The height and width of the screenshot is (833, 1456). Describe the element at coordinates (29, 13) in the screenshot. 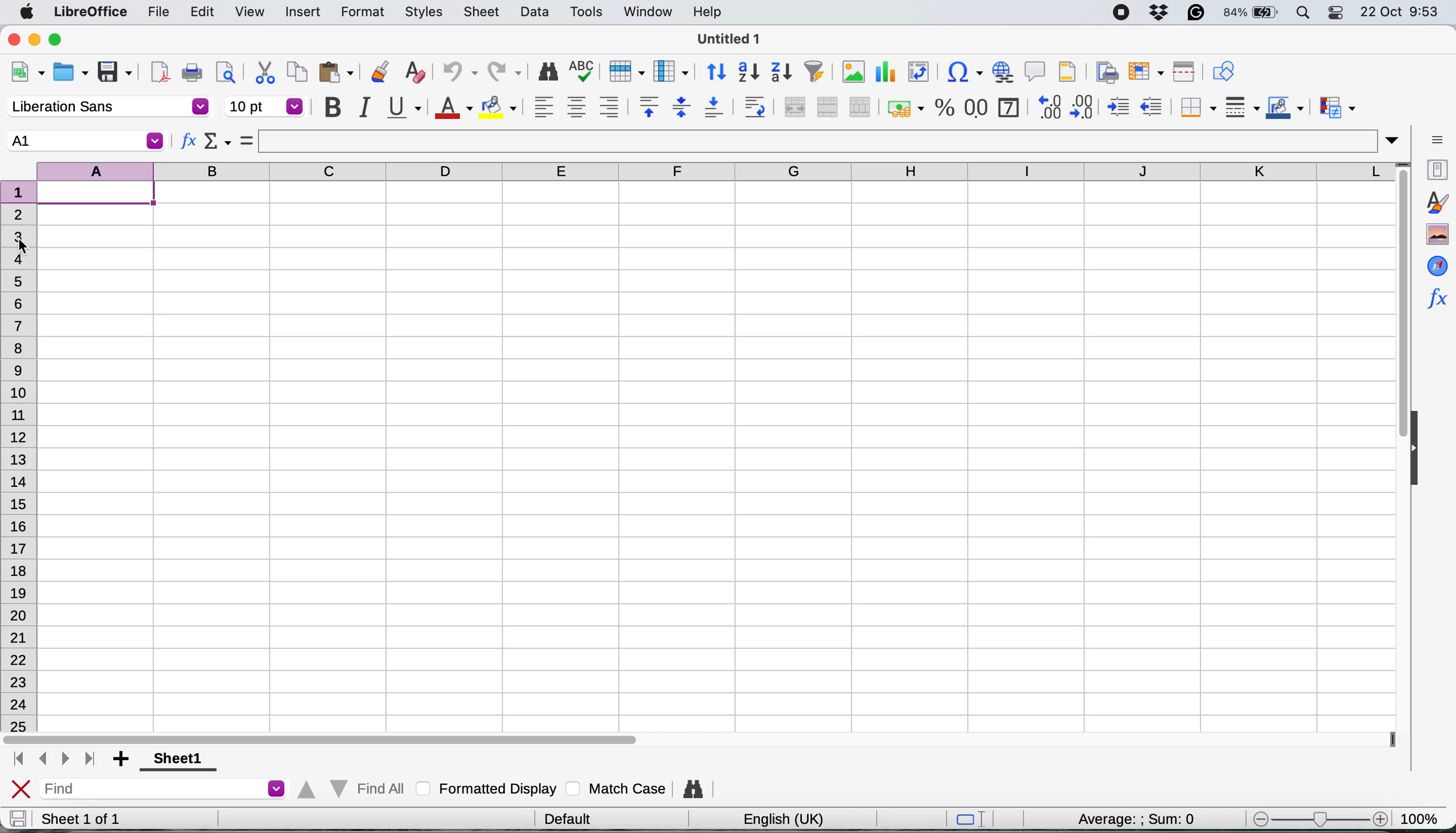

I see `system logo` at that location.